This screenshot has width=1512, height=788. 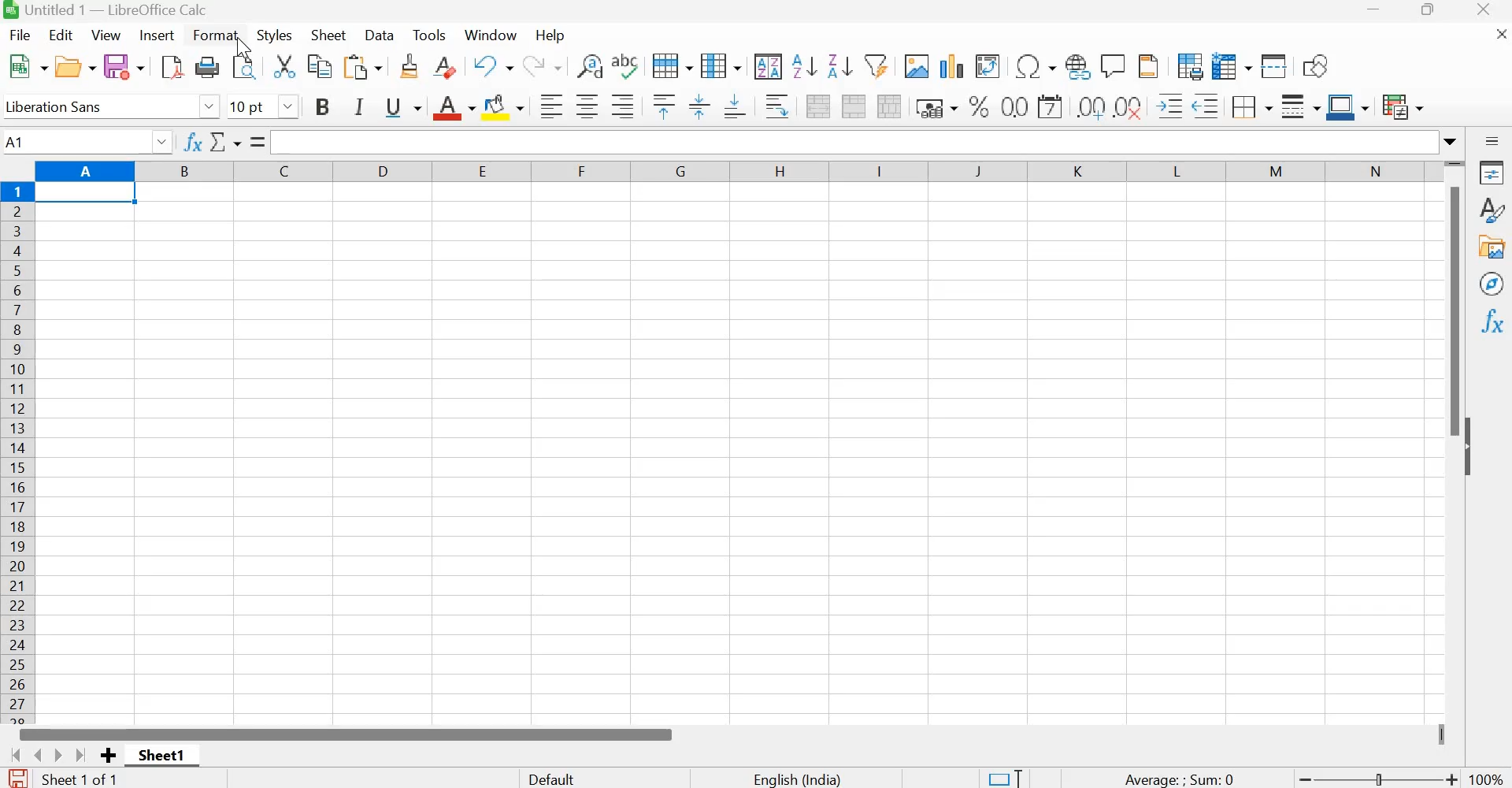 I want to click on Align left, so click(x=551, y=105).